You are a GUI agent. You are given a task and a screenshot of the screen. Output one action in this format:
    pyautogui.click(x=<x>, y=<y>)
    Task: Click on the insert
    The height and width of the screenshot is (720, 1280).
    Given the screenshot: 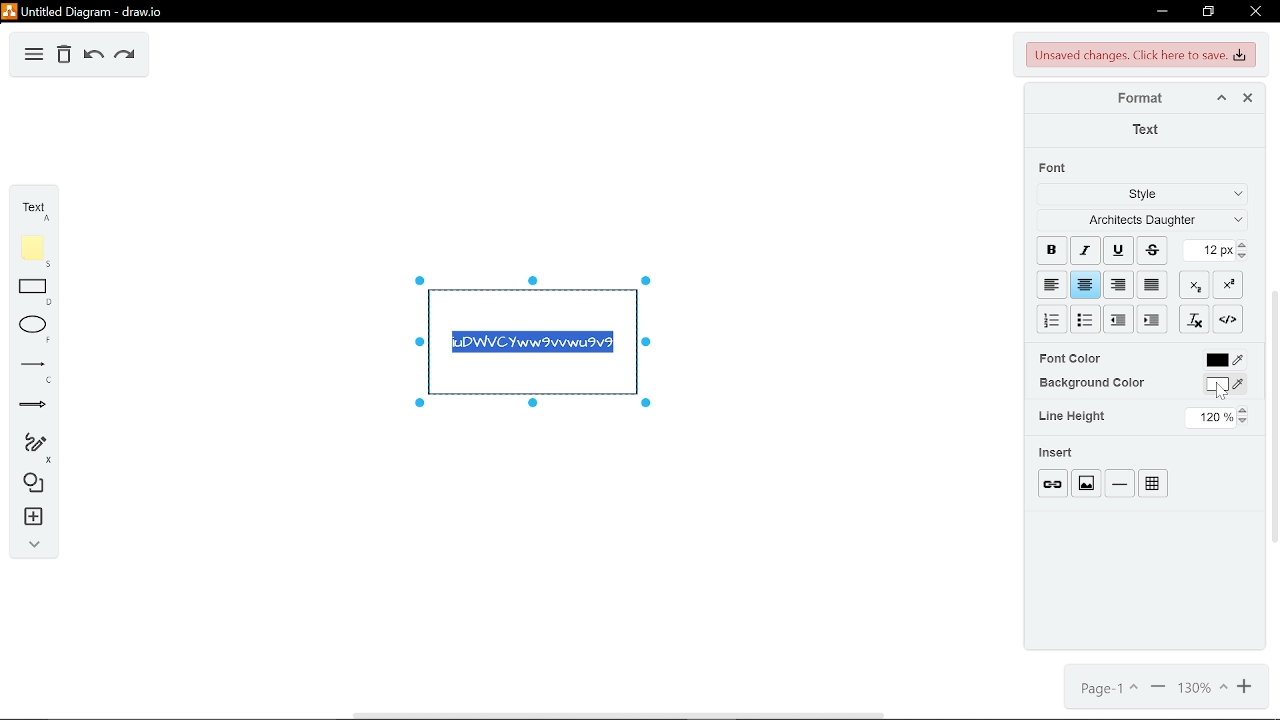 What is the action you would take?
    pyautogui.click(x=29, y=520)
    